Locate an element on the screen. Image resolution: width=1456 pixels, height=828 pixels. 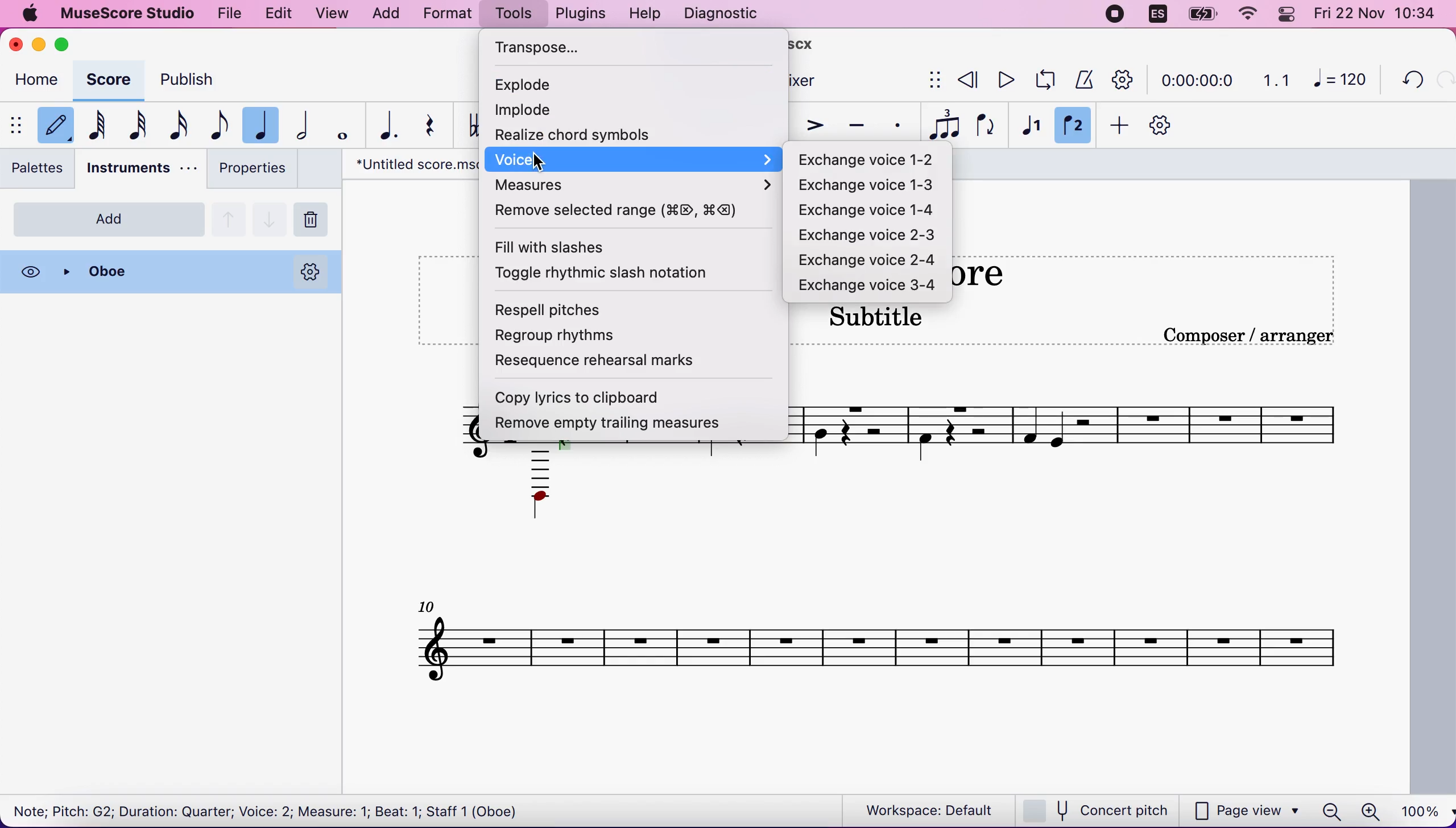
musescore studio is located at coordinates (135, 13).